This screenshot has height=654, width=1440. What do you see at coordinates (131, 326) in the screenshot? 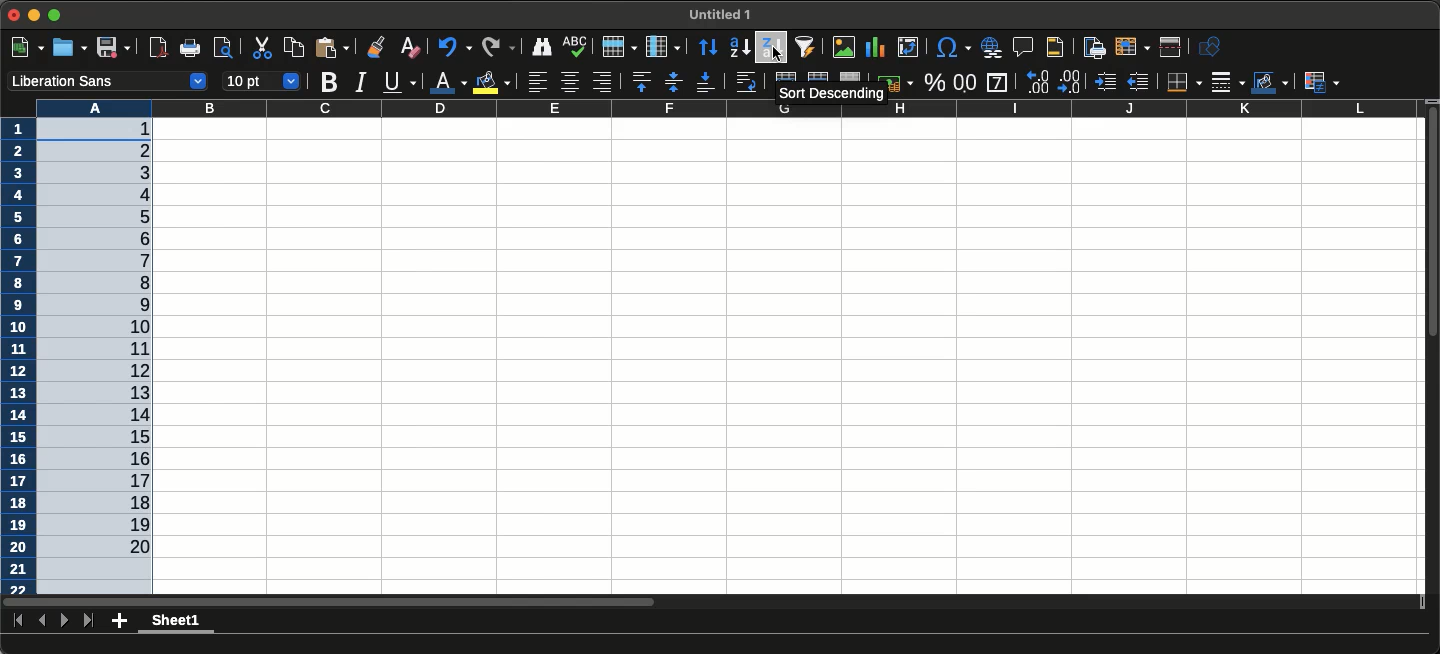
I see `10` at bounding box center [131, 326].